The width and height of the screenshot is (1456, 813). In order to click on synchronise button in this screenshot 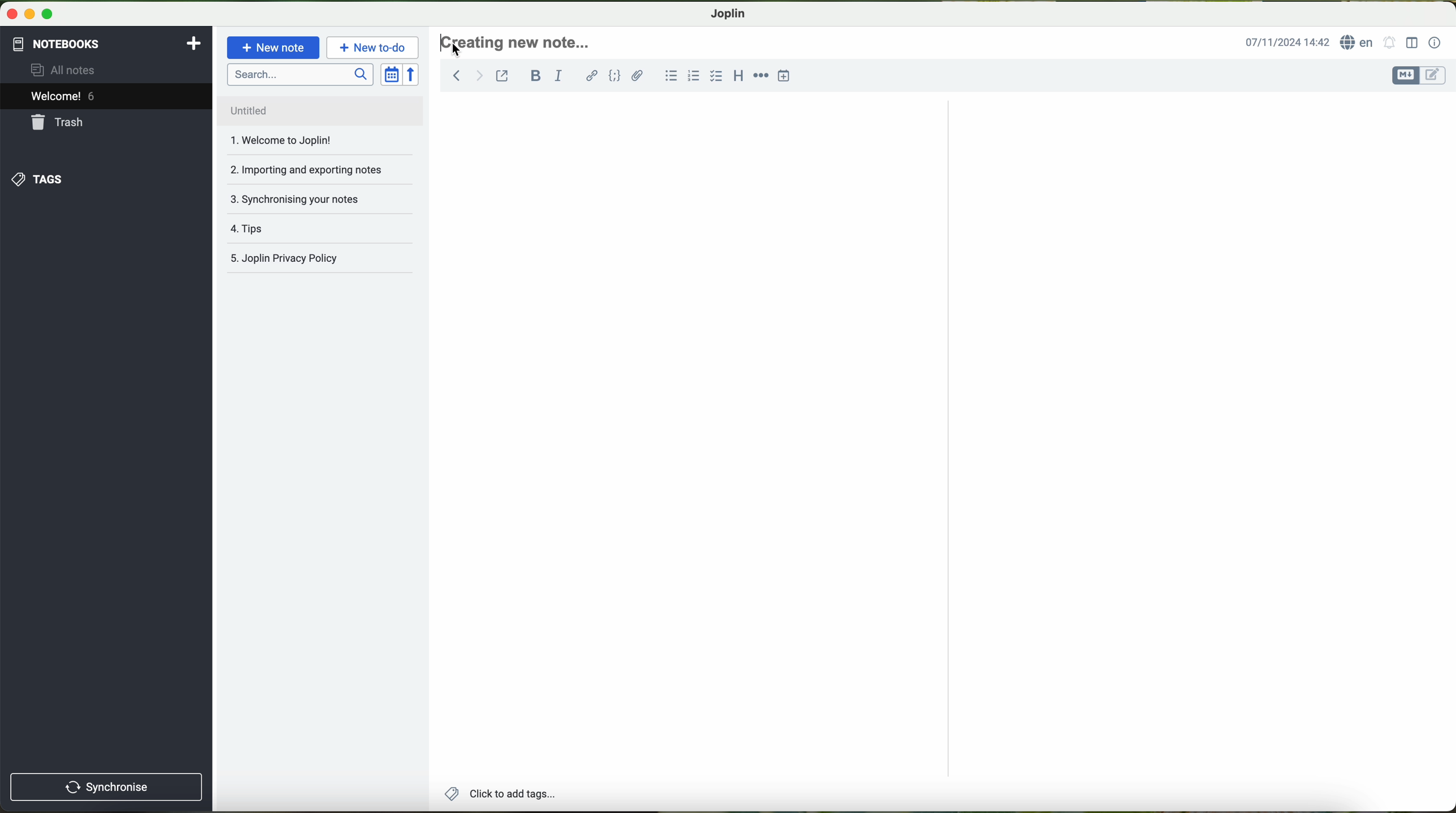, I will do `click(107, 788)`.